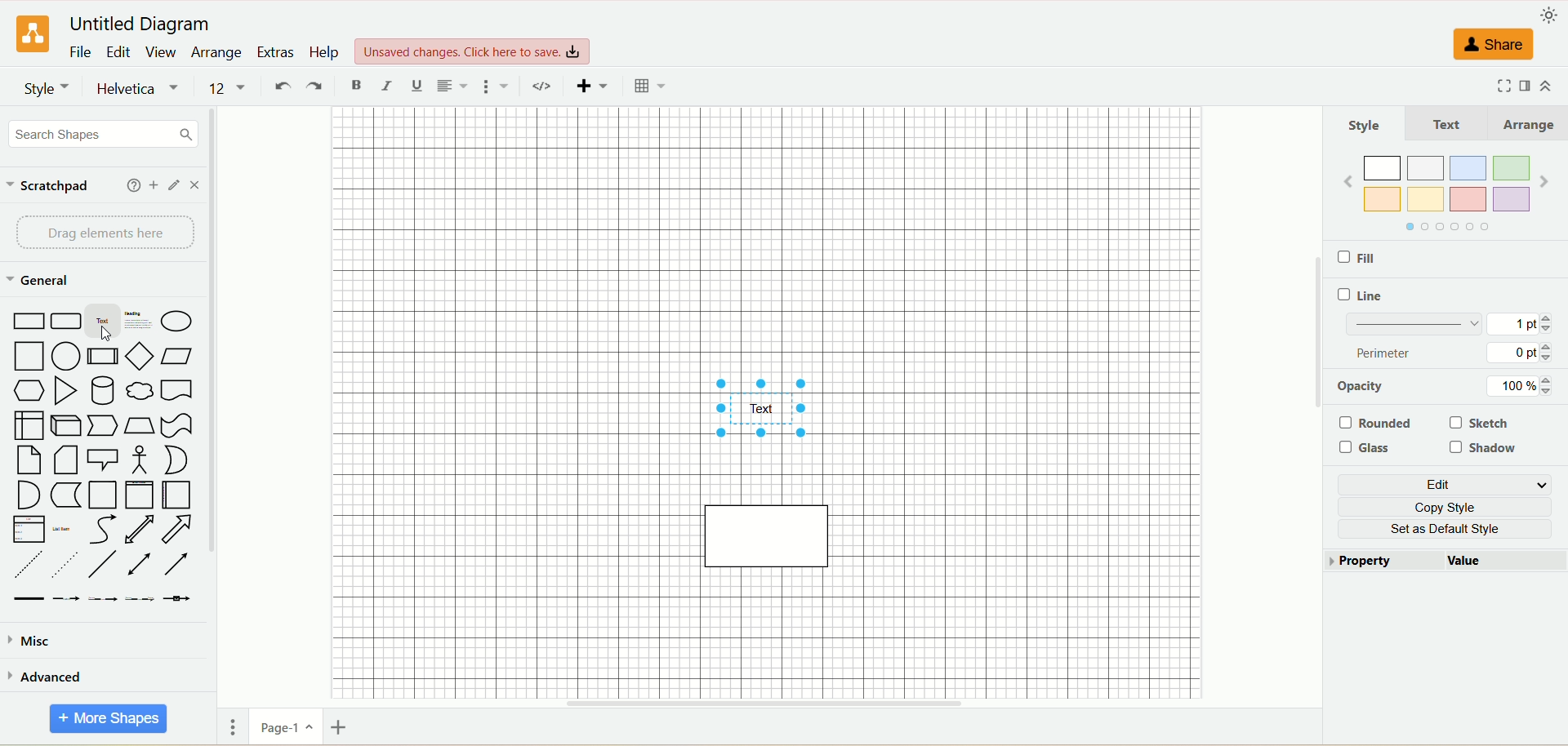  What do you see at coordinates (66, 495) in the screenshot?
I see `storage` at bounding box center [66, 495].